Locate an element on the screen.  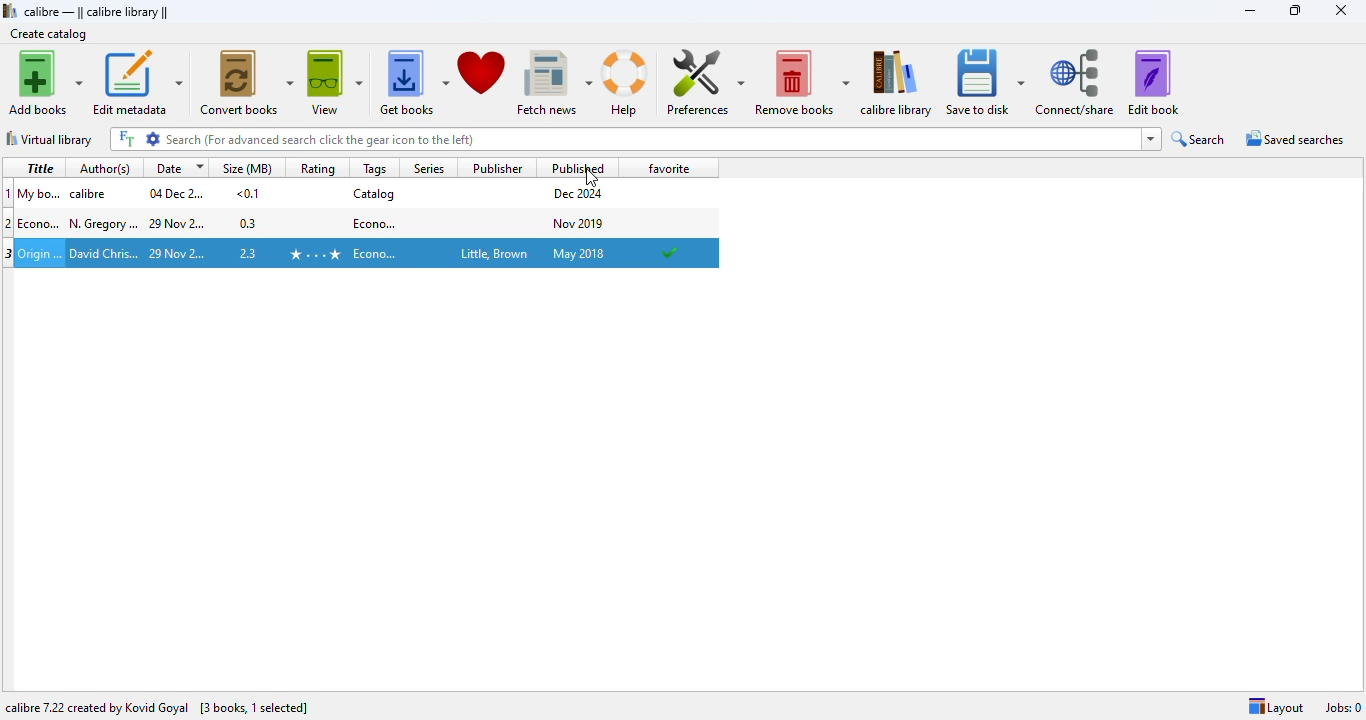
date is located at coordinates (176, 193).